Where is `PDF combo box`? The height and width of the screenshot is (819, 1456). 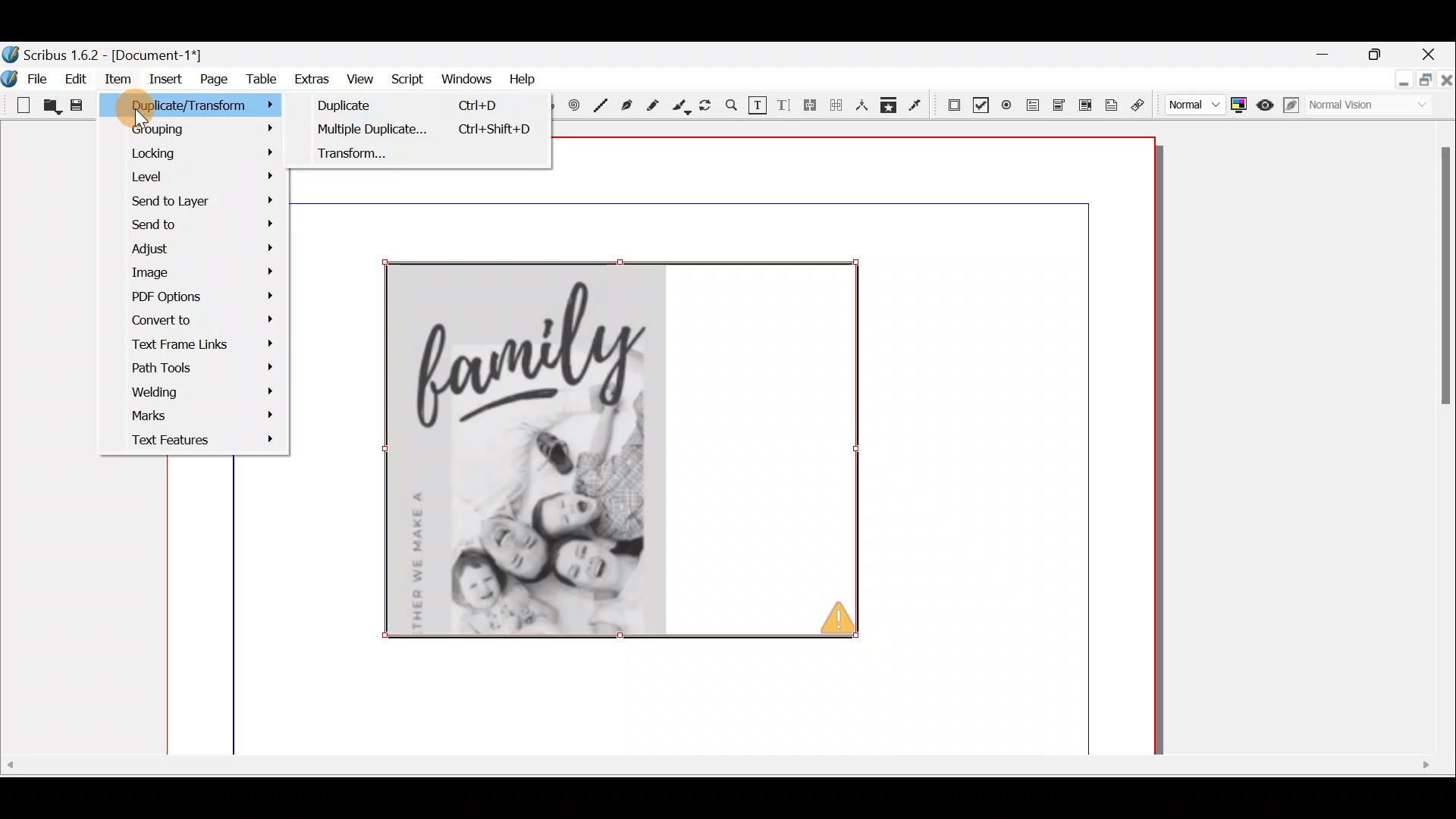
PDF combo box is located at coordinates (1056, 106).